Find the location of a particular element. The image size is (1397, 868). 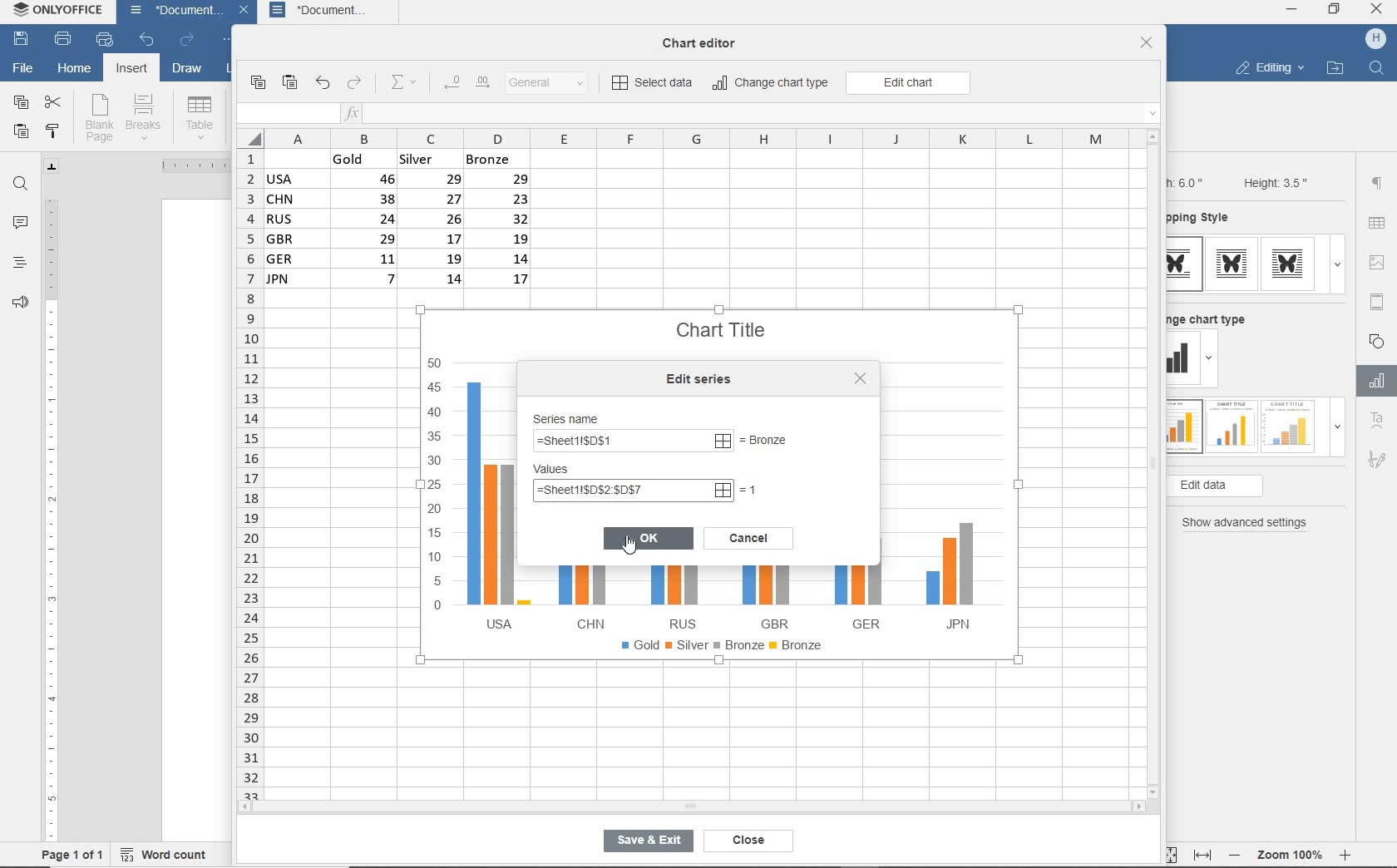

cut is located at coordinates (54, 101).